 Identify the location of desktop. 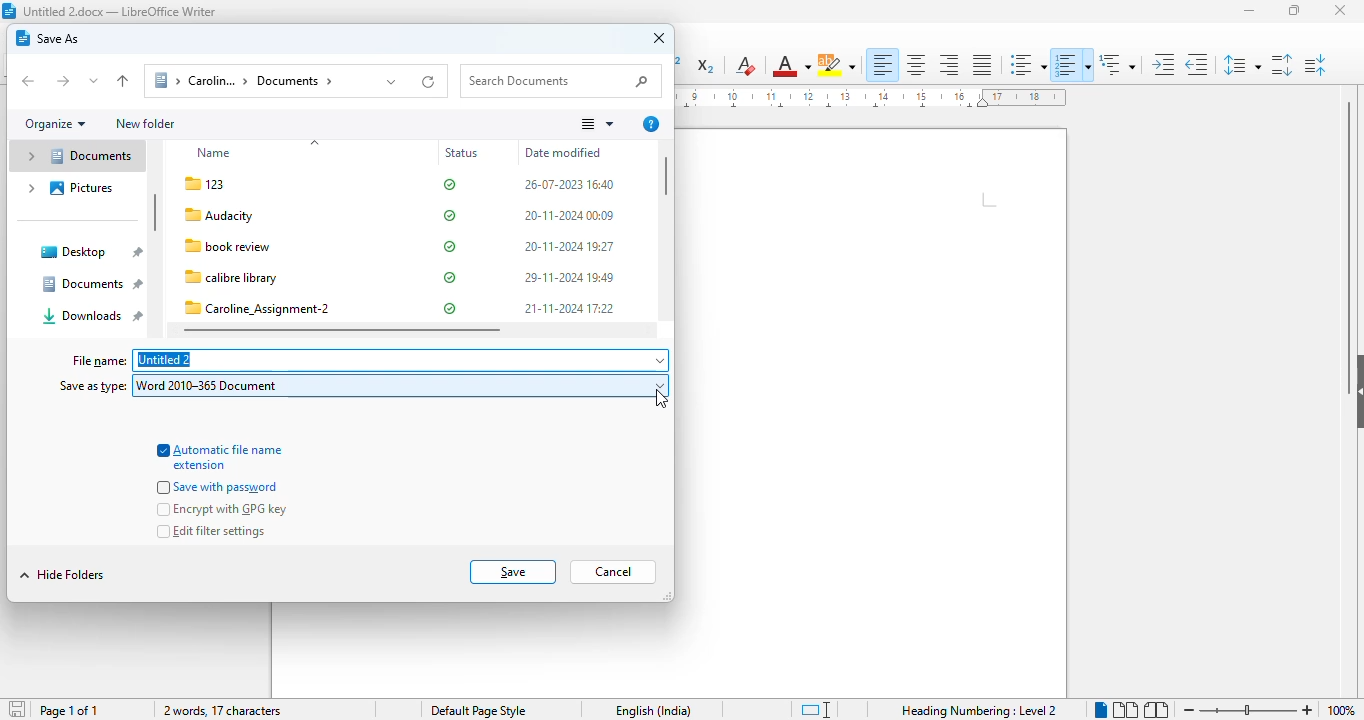
(90, 252).